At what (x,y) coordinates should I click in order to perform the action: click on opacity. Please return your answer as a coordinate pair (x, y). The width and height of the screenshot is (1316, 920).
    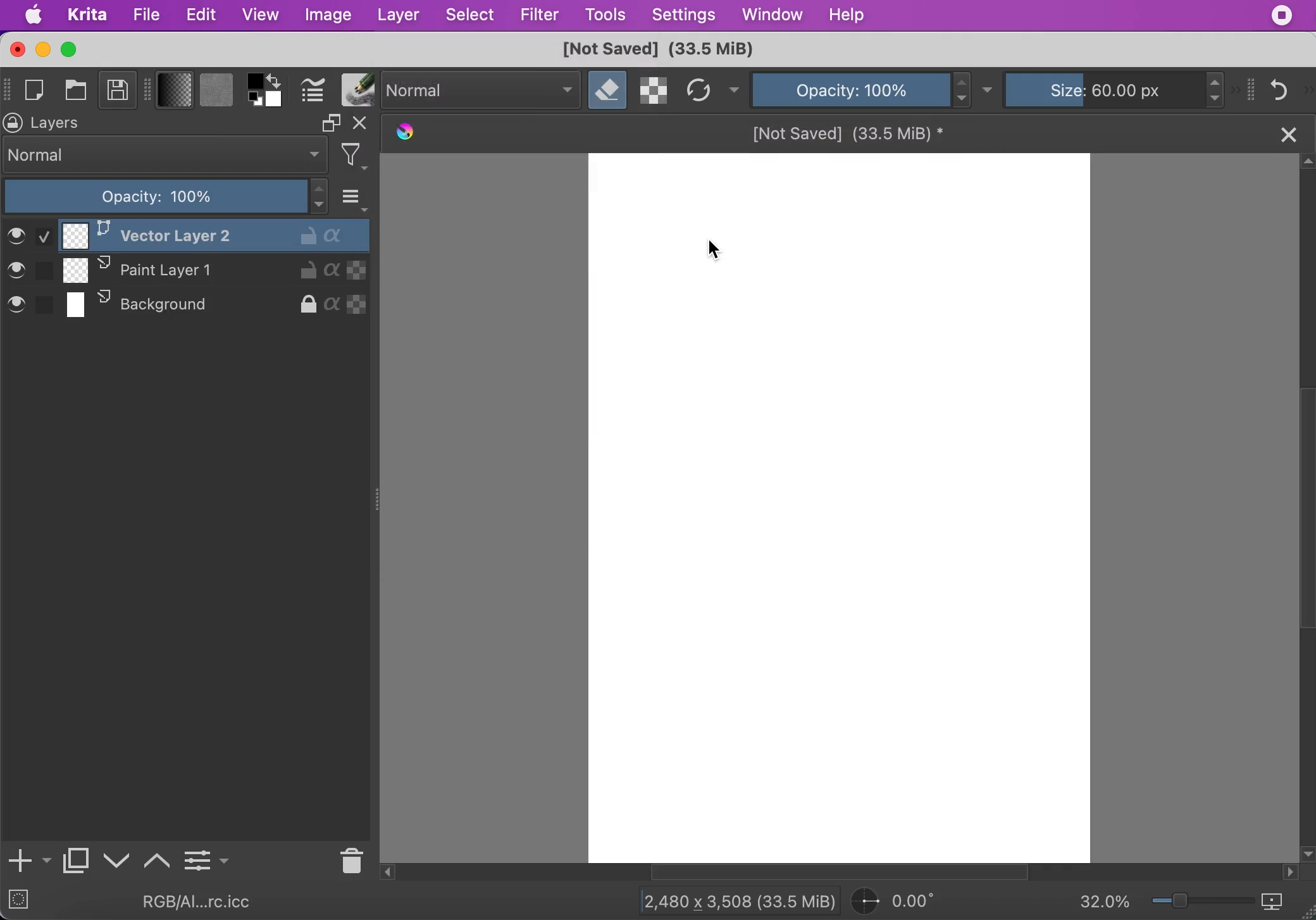
    Looking at the image, I should click on (850, 89).